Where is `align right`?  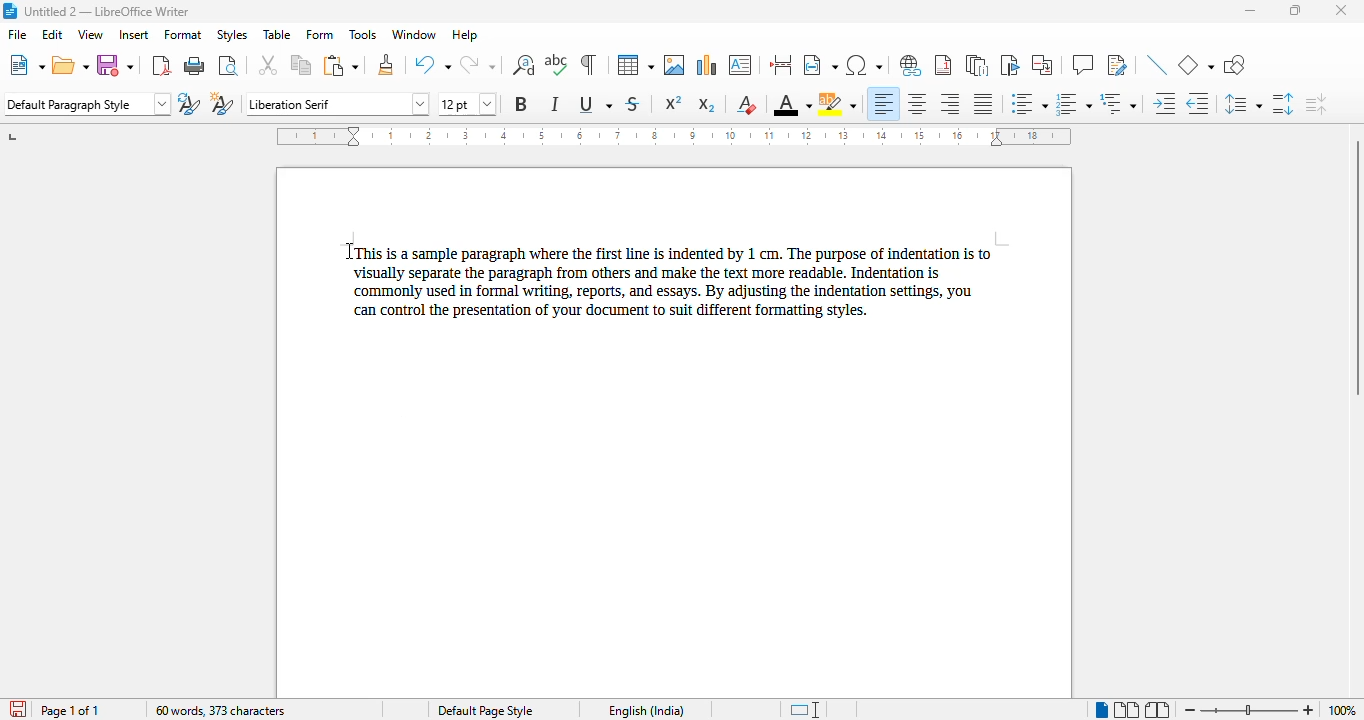 align right is located at coordinates (949, 103).